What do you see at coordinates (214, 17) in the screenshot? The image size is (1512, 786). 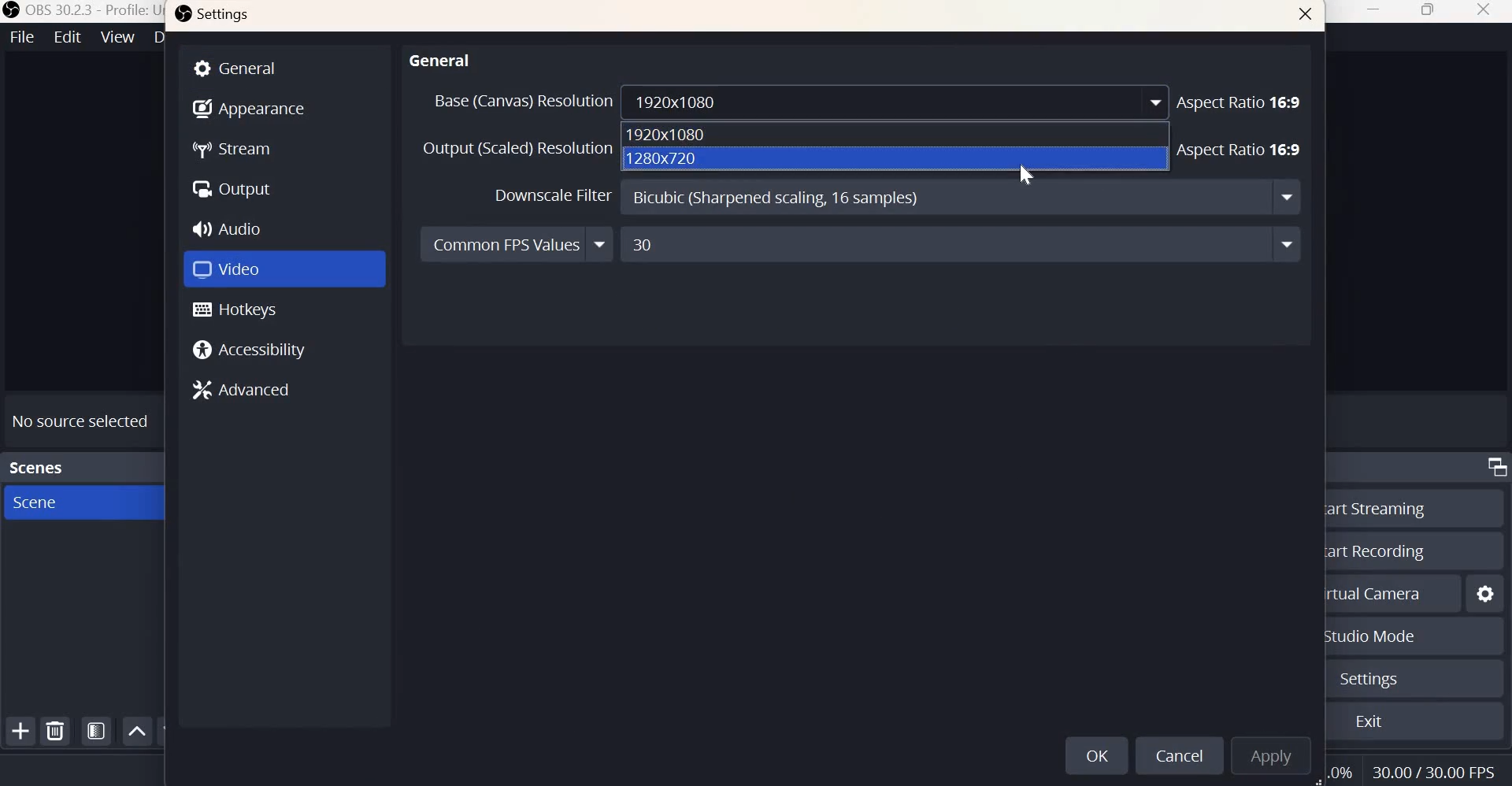 I see `Settings` at bounding box center [214, 17].